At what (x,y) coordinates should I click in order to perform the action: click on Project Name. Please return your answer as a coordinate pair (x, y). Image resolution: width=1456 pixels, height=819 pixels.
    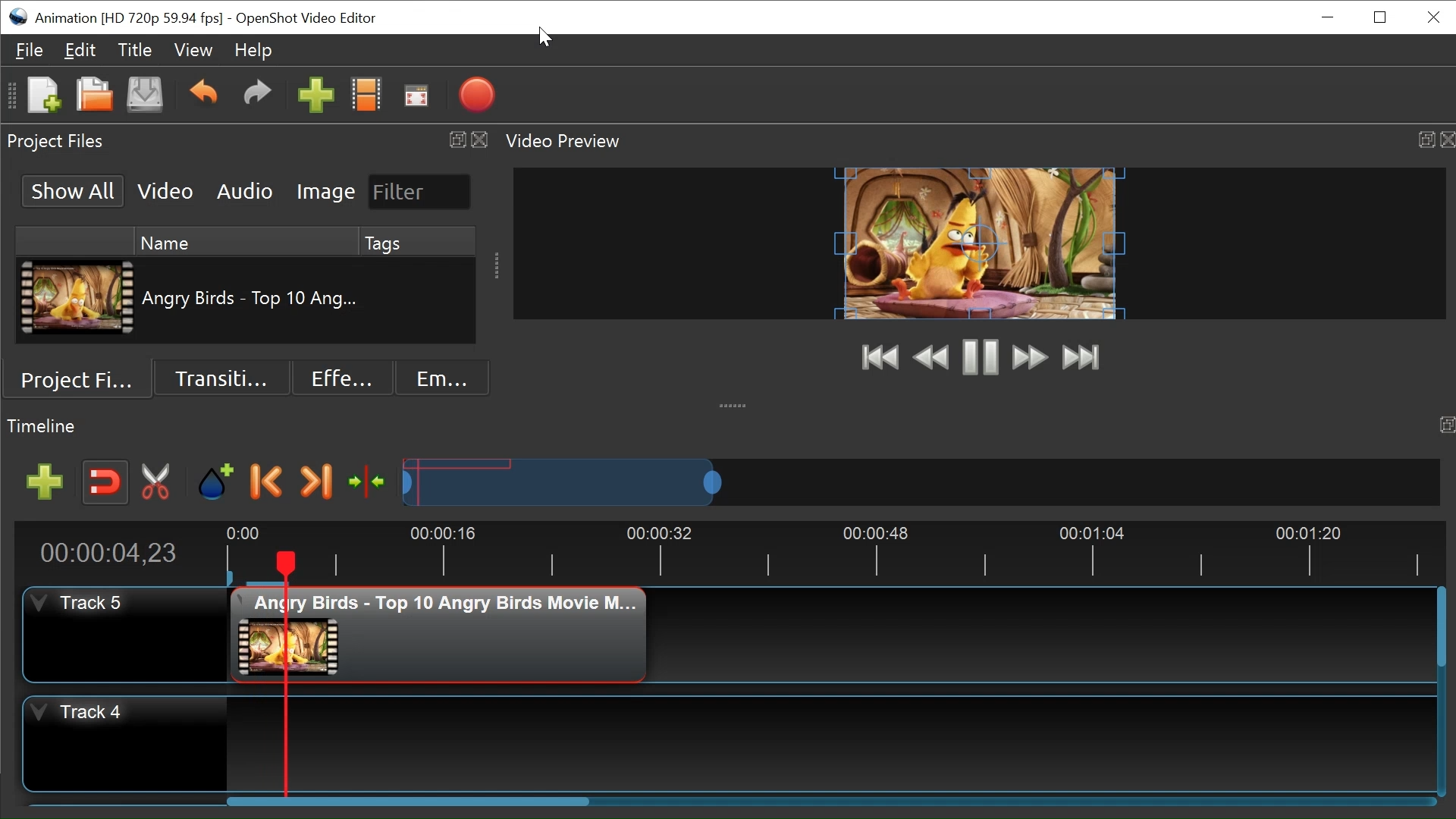
    Looking at the image, I should click on (130, 19).